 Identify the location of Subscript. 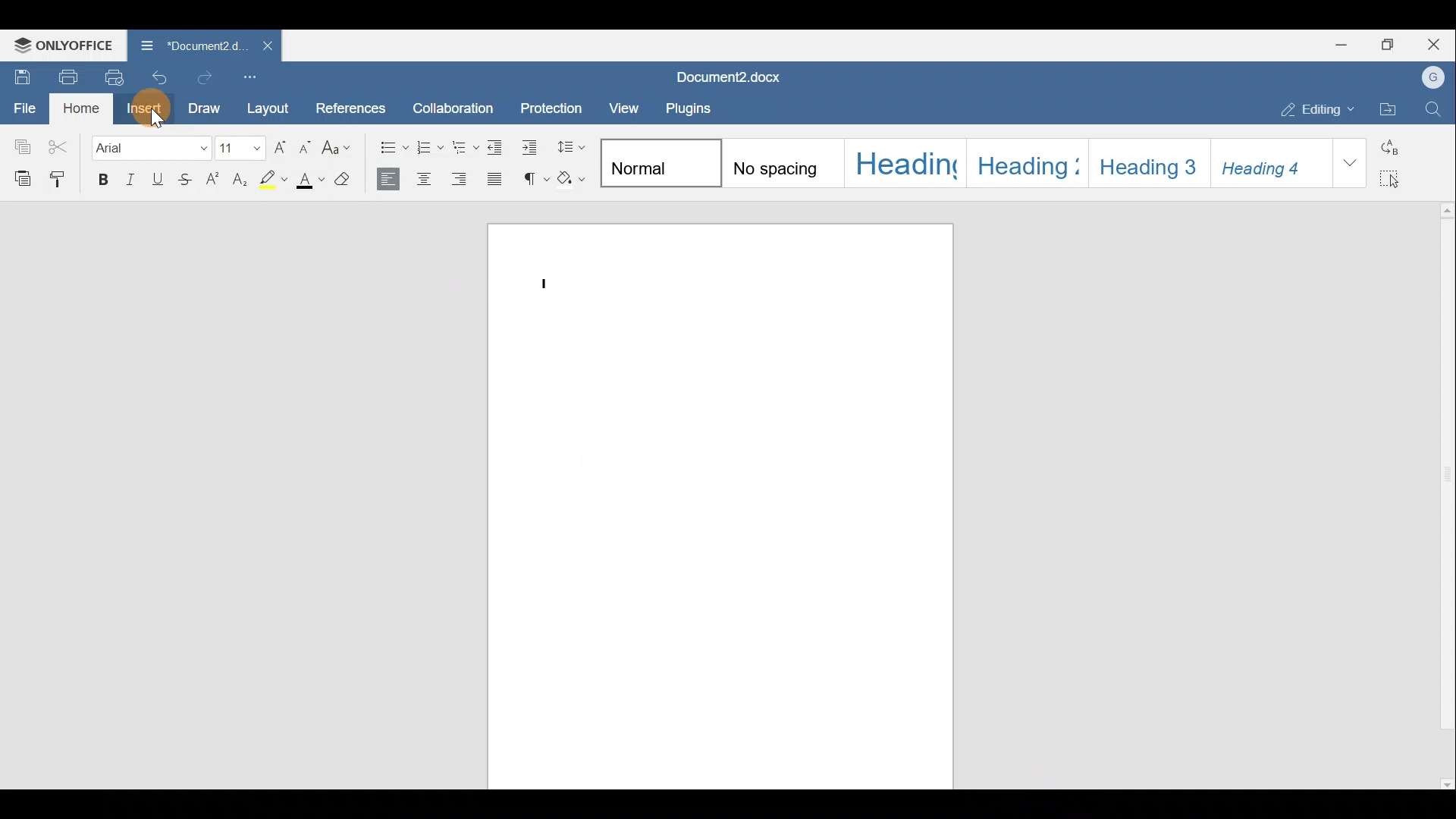
(241, 182).